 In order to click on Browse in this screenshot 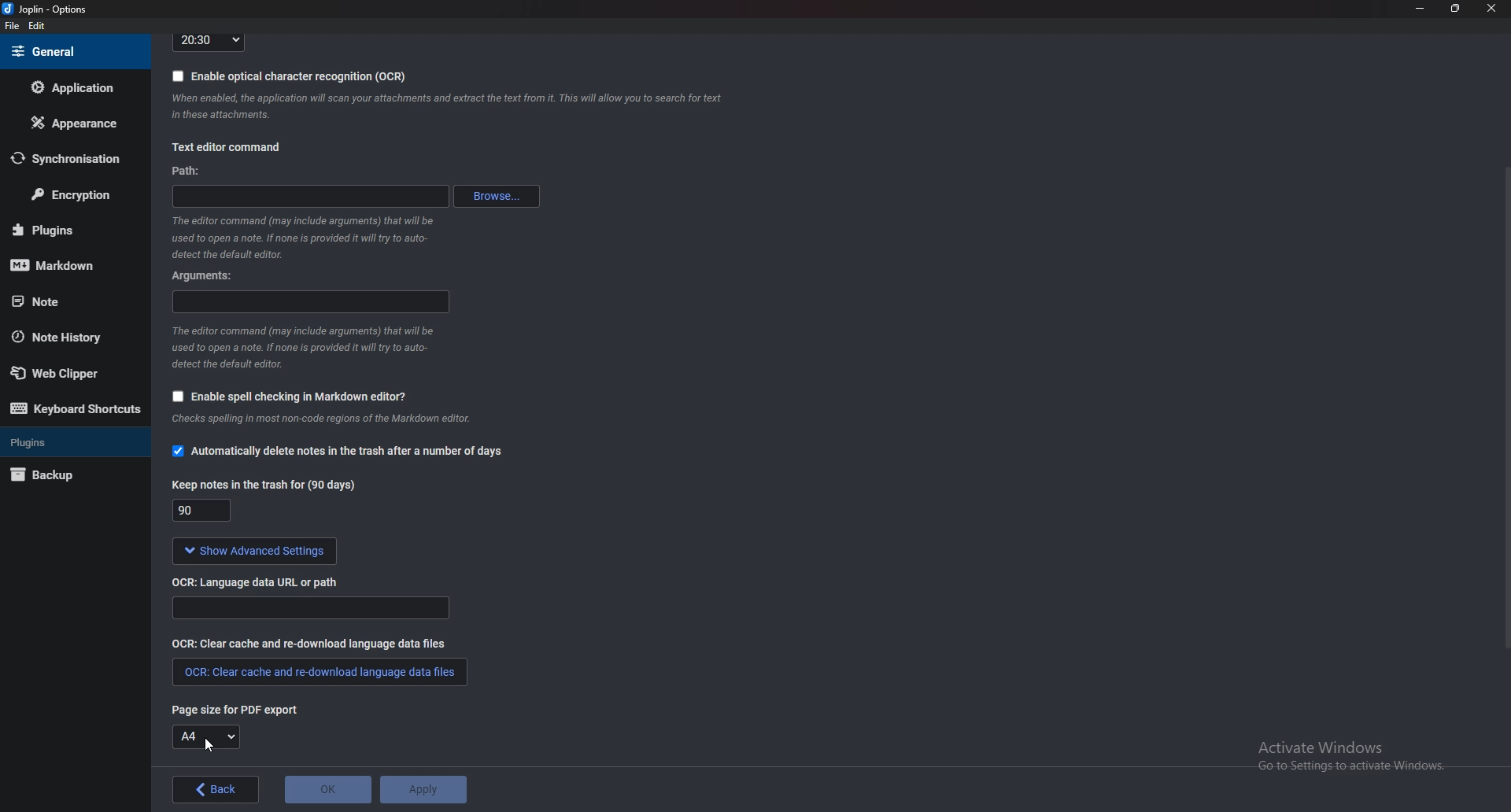, I will do `click(499, 196)`.